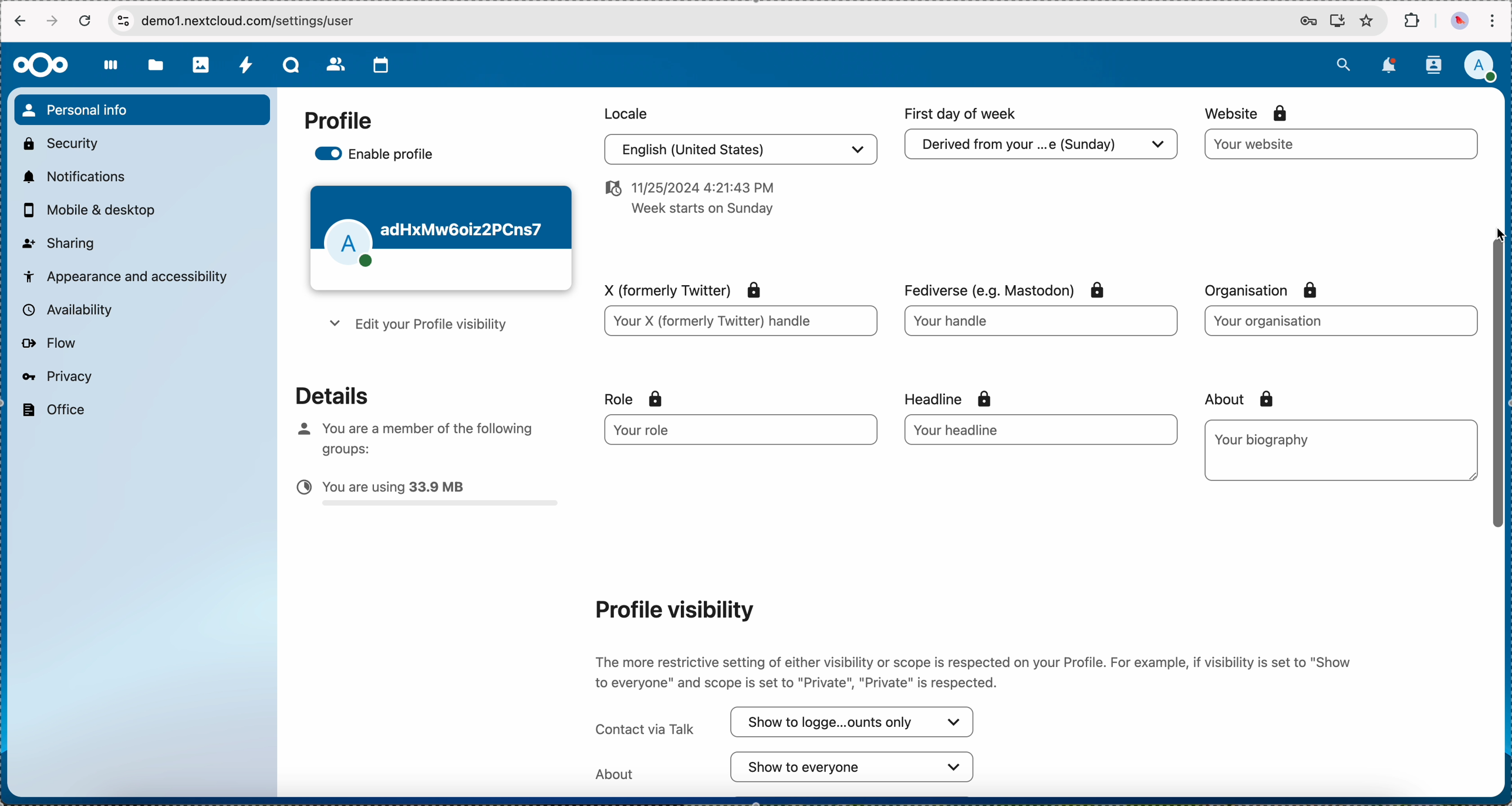 The image size is (1512, 806). I want to click on english, so click(737, 151).